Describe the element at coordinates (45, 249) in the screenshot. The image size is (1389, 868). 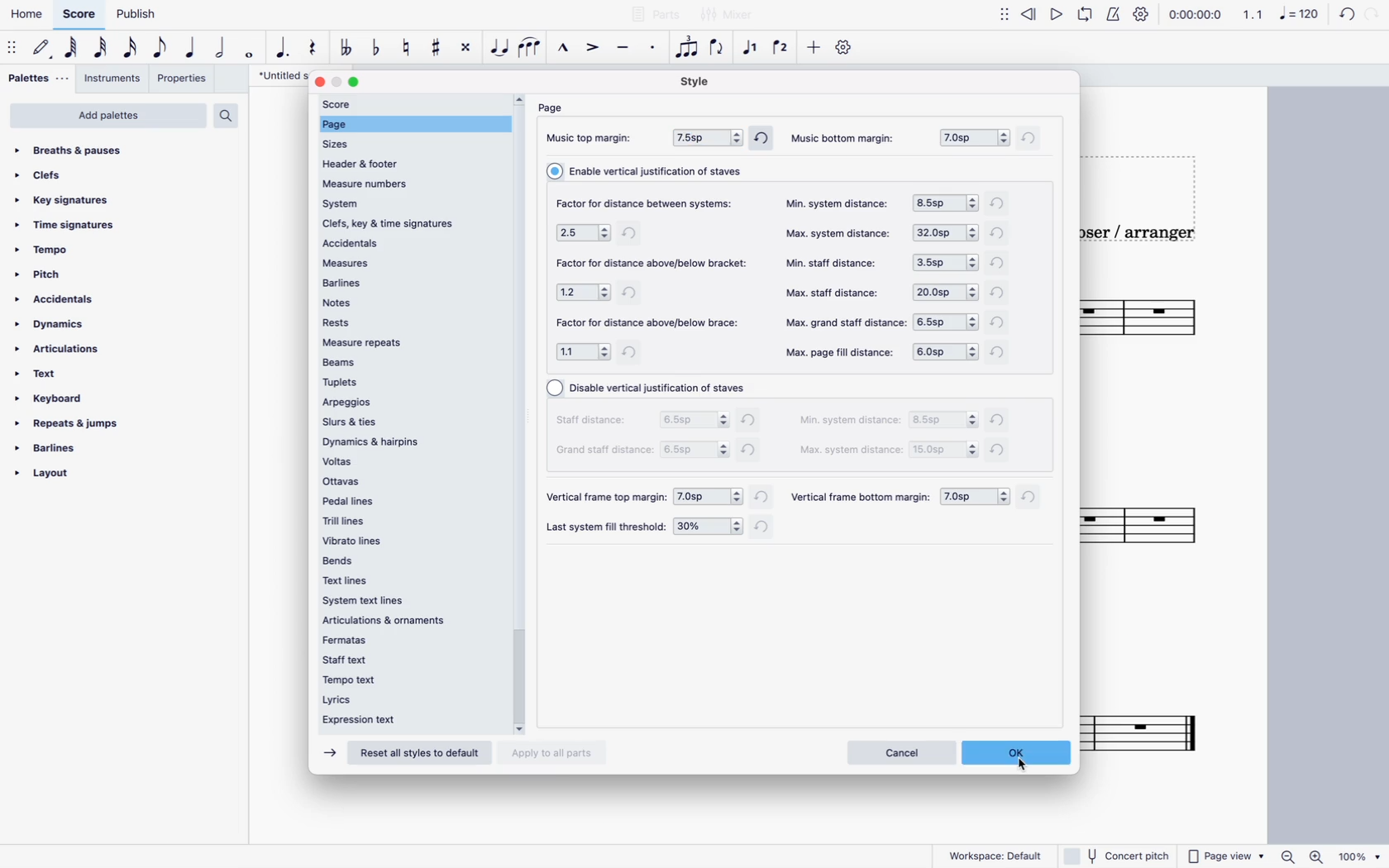
I see `tempo` at that location.